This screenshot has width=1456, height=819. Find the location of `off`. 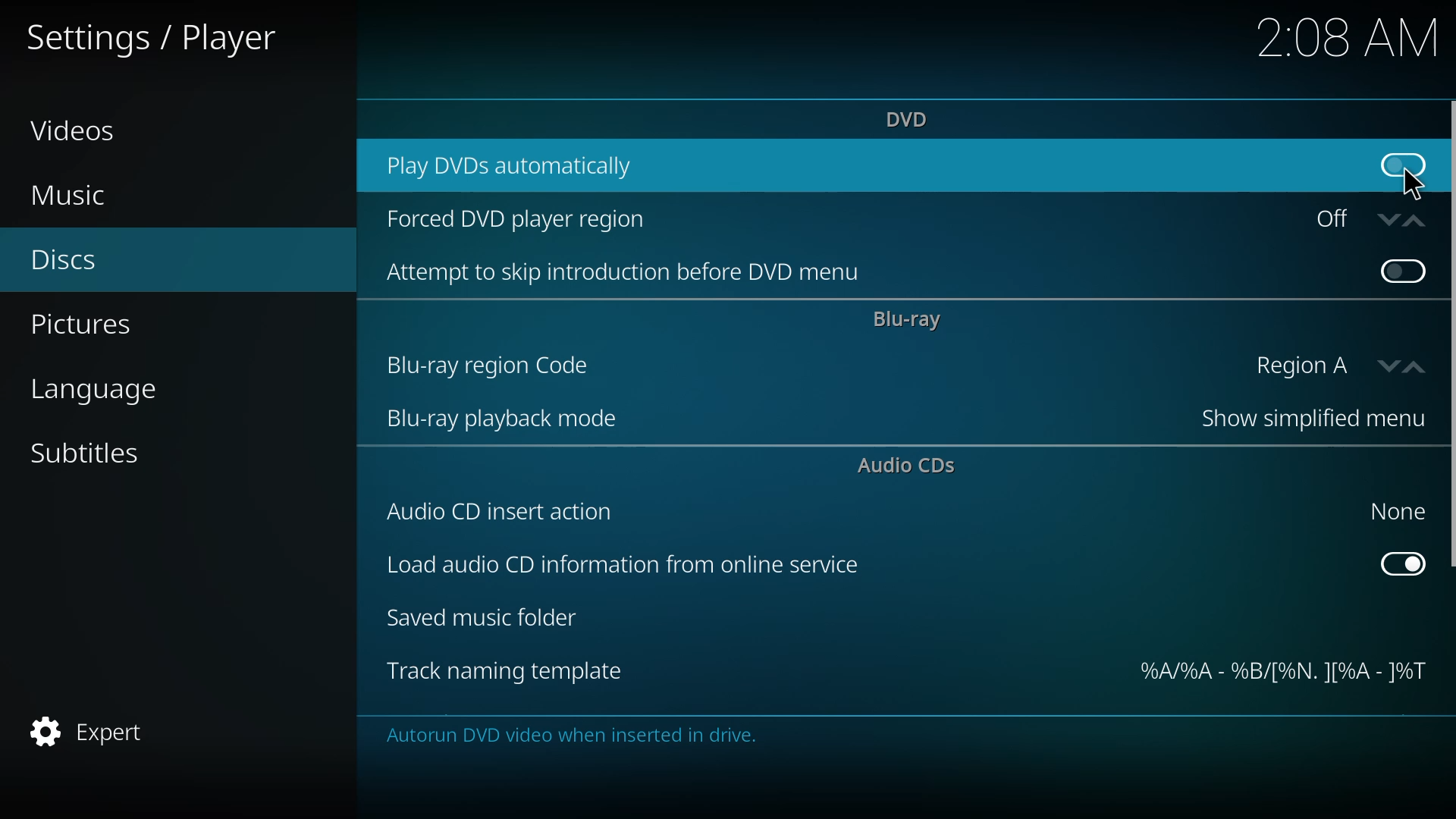

off is located at coordinates (1363, 218).